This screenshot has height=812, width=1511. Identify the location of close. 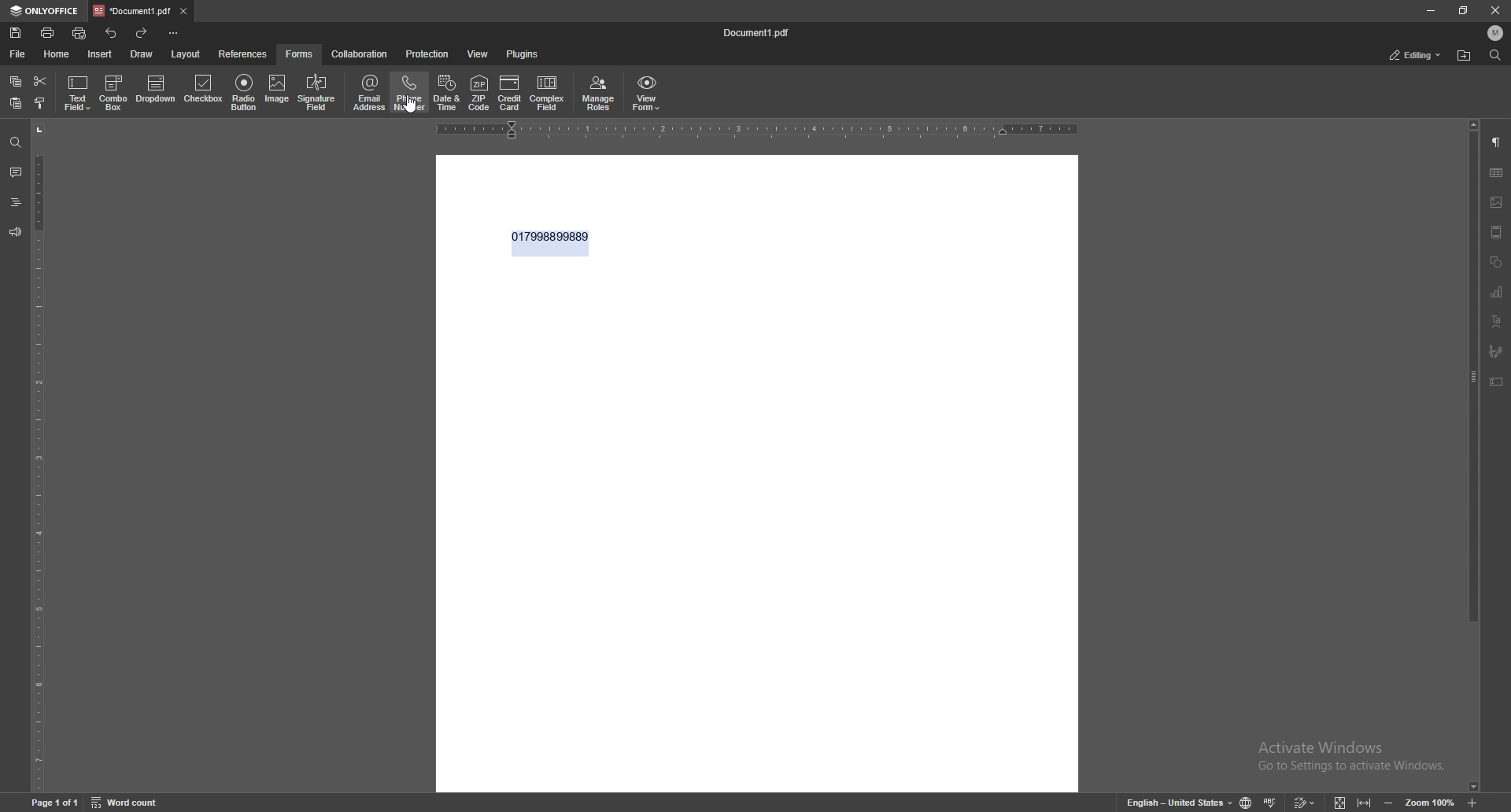
(1497, 11).